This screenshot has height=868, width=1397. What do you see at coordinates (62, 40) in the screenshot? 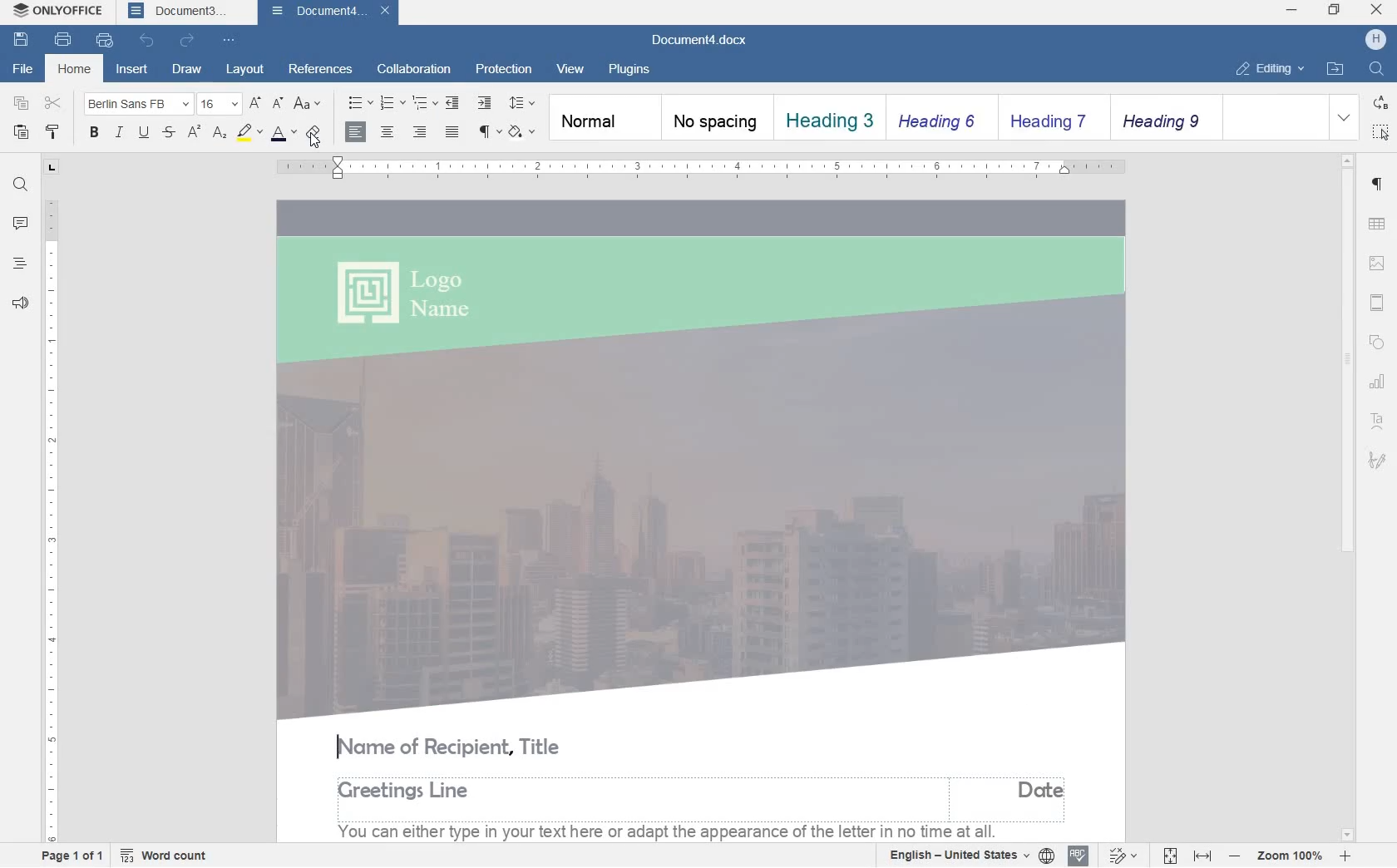
I see `print` at bounding box center [62, 40].